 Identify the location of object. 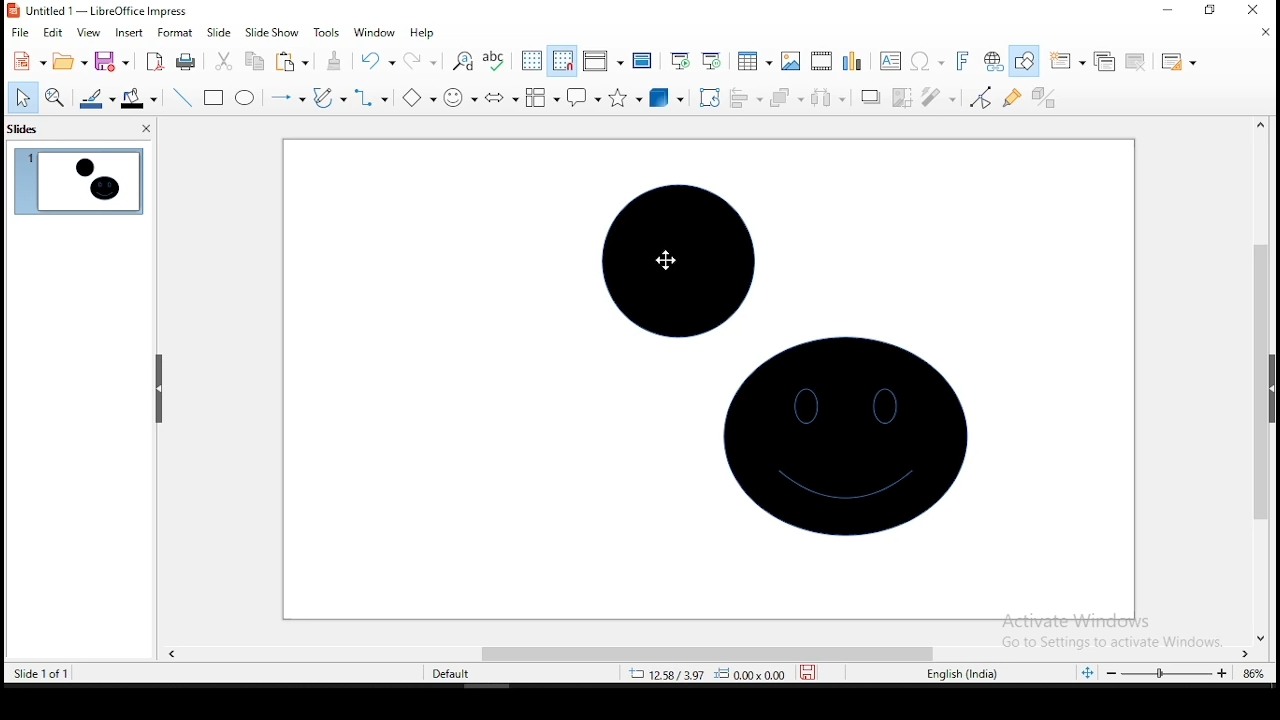
(679, 259).